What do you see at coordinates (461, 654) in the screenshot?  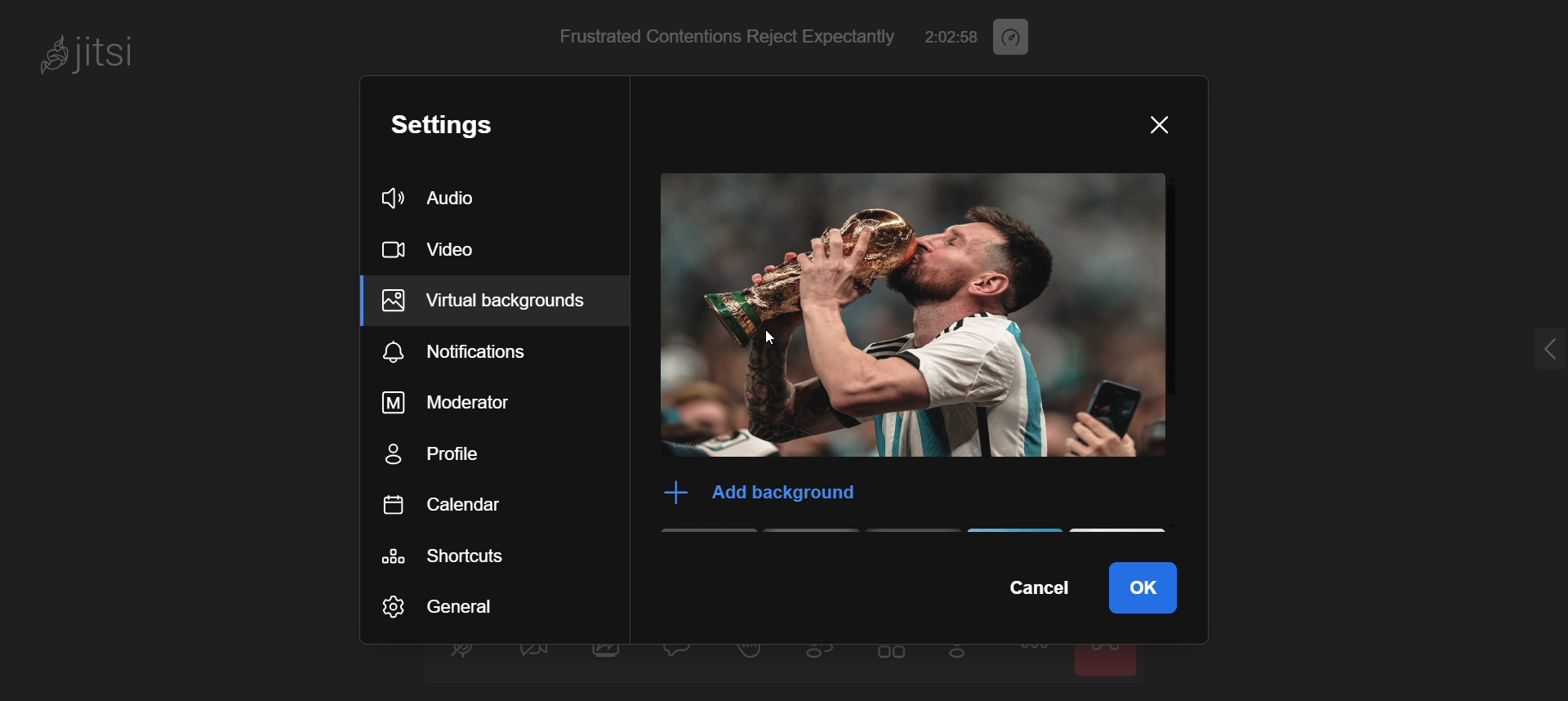 I see `unmute mic` at bounding box center [461, 654].